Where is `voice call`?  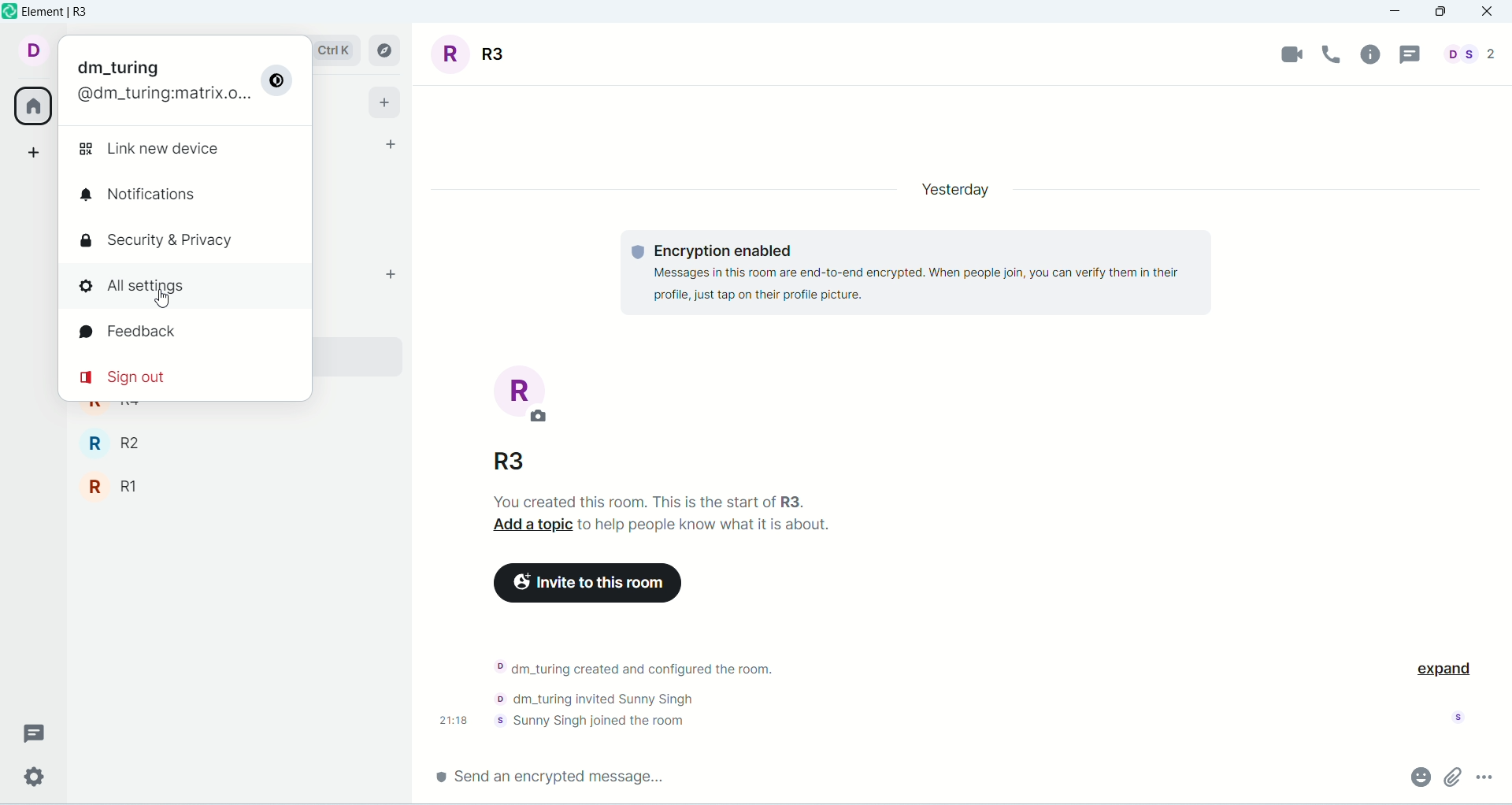 voice call is located at coordinates (1335, 54).